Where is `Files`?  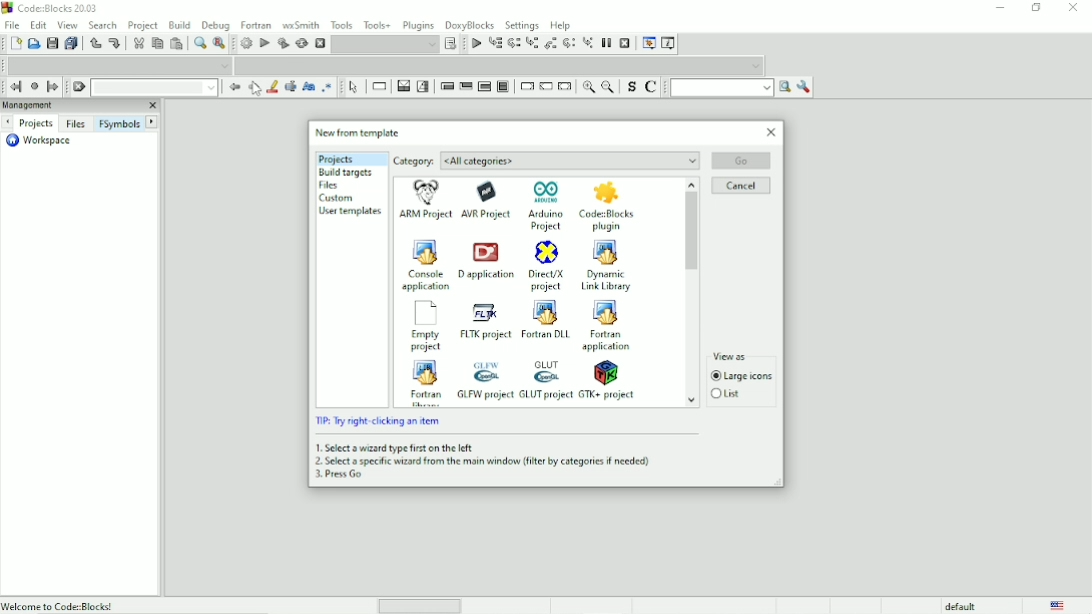
Files is located at coordinates (75, 124).